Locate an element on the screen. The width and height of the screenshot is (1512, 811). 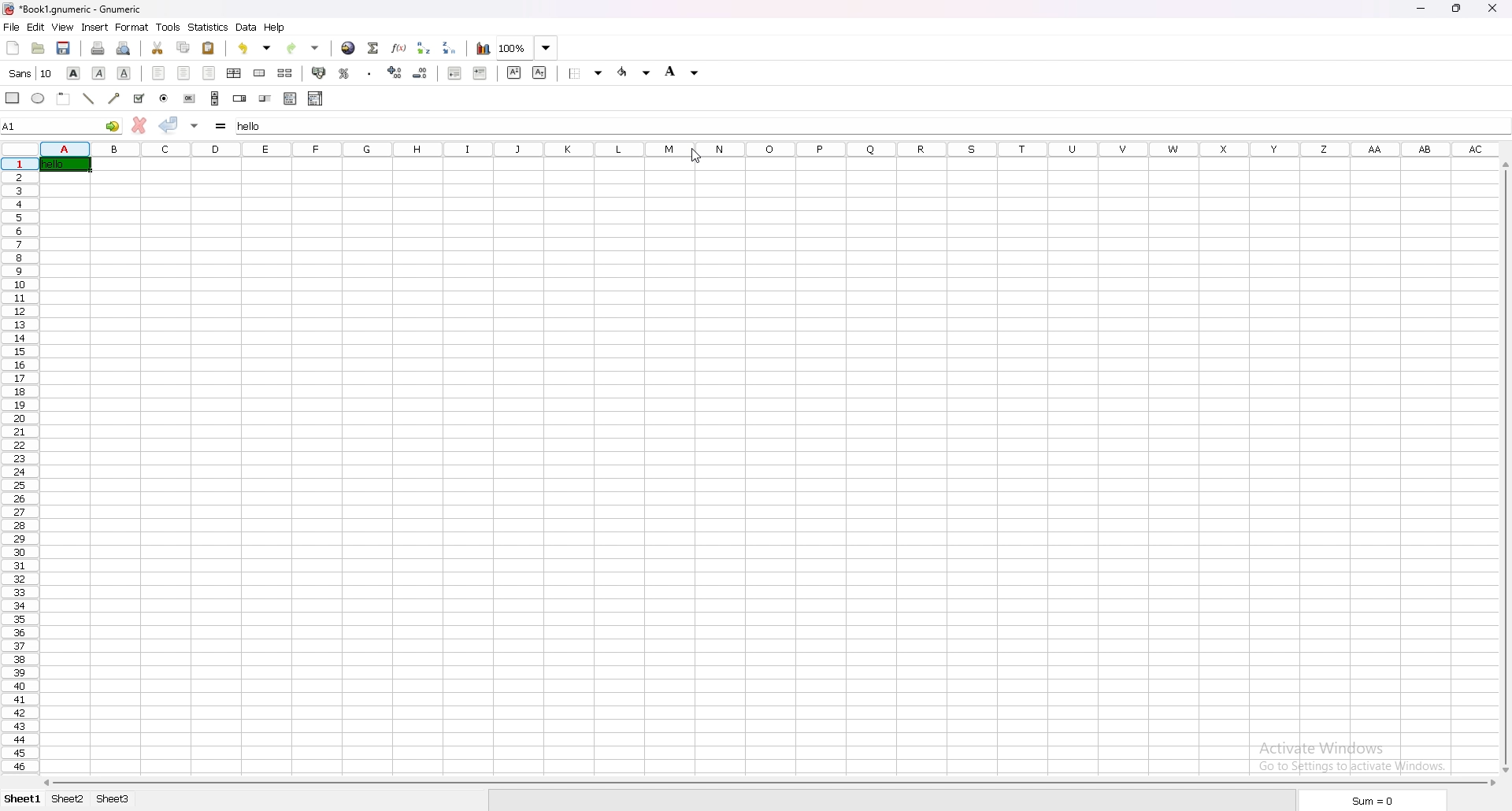
sheet 1 is located at coordinates (24, 800).